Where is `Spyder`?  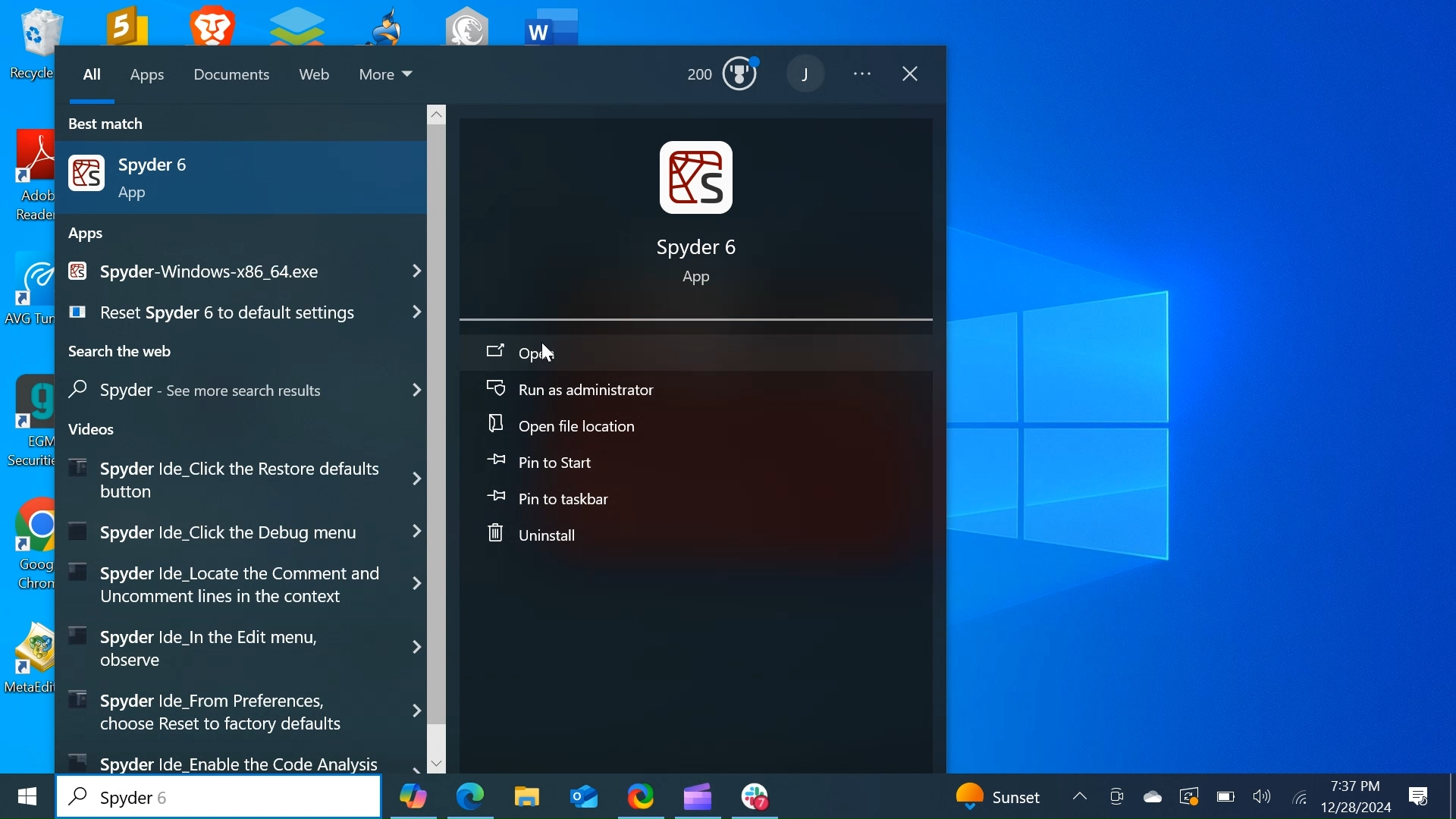
Spyder is located at coordinates (247, 390).